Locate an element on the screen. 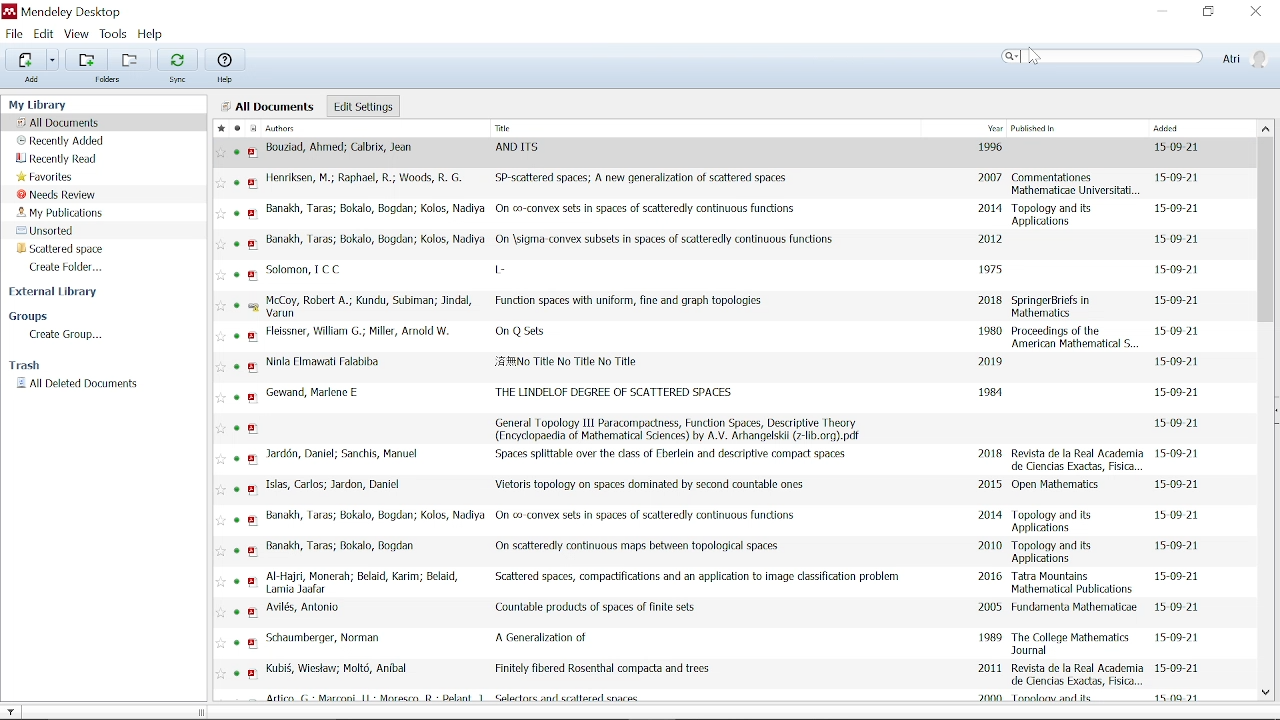  Add to favorite is located at coordinates (220, 551).